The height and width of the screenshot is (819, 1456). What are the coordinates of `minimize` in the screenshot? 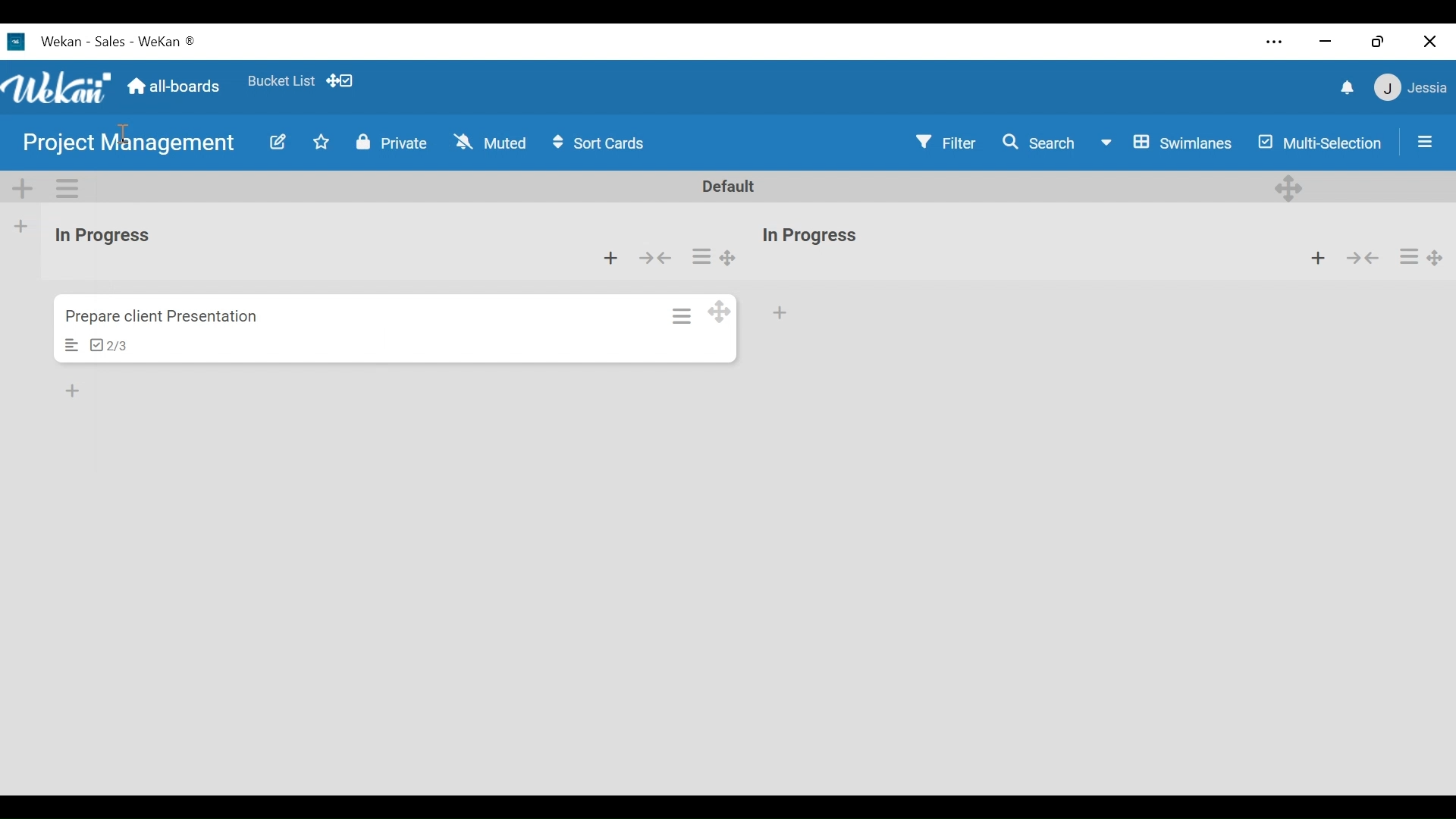 It's located at (1326, 40).